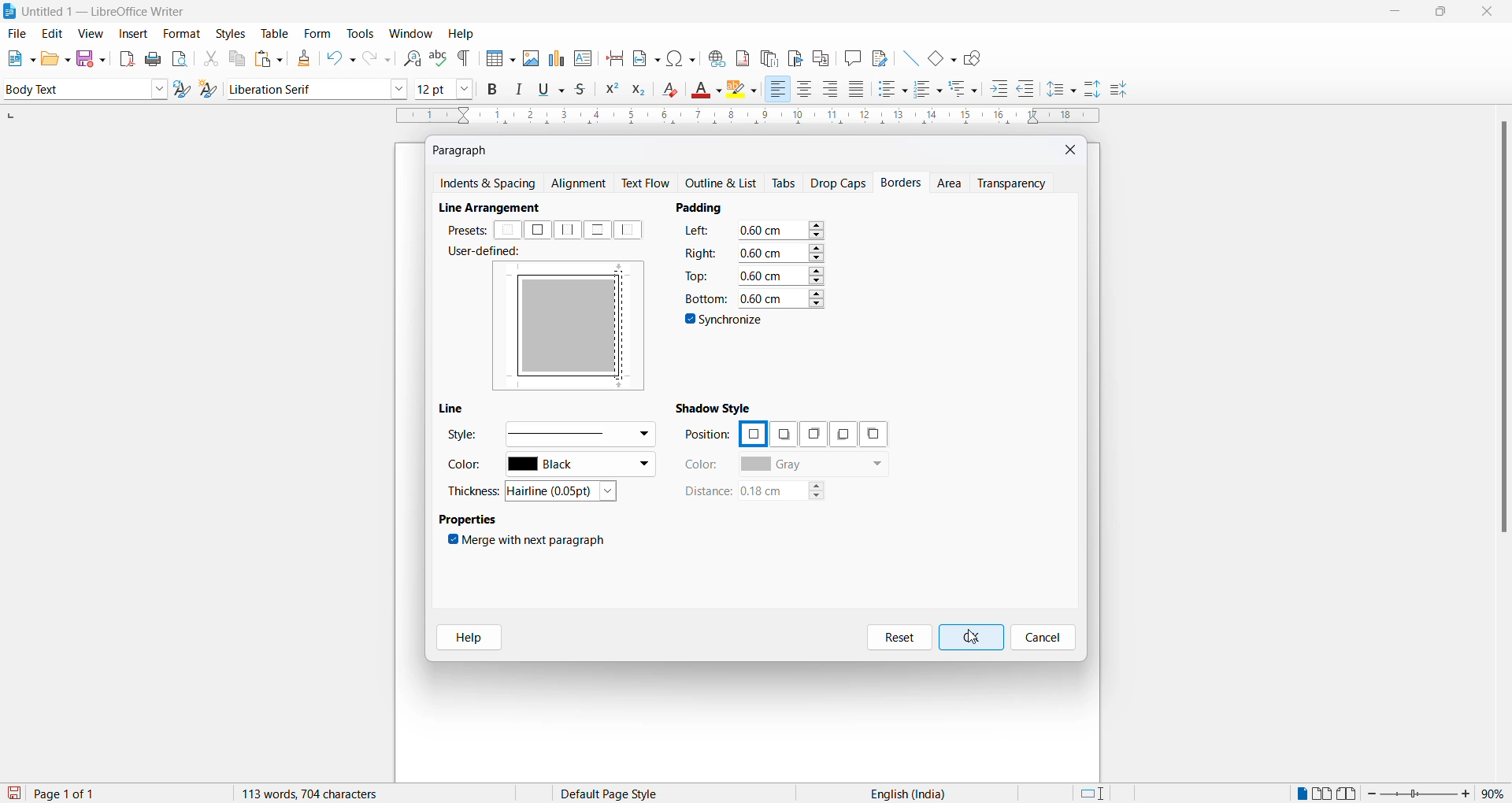 This screenshot has width=1512, height=803. I want to click on position options, so click(873, 434).